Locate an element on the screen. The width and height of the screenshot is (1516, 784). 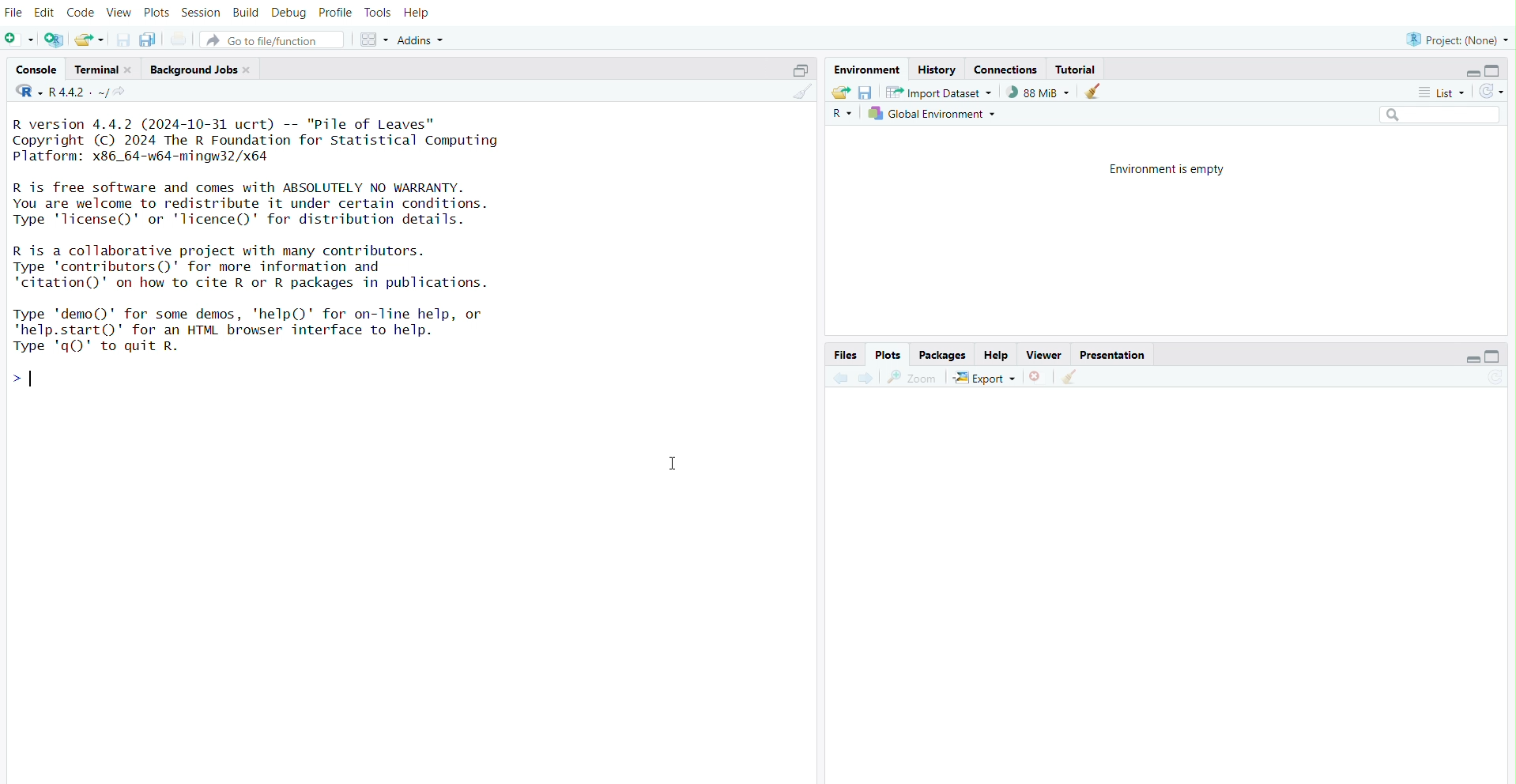
refresh current plot is located at coordinates (1499, 380).